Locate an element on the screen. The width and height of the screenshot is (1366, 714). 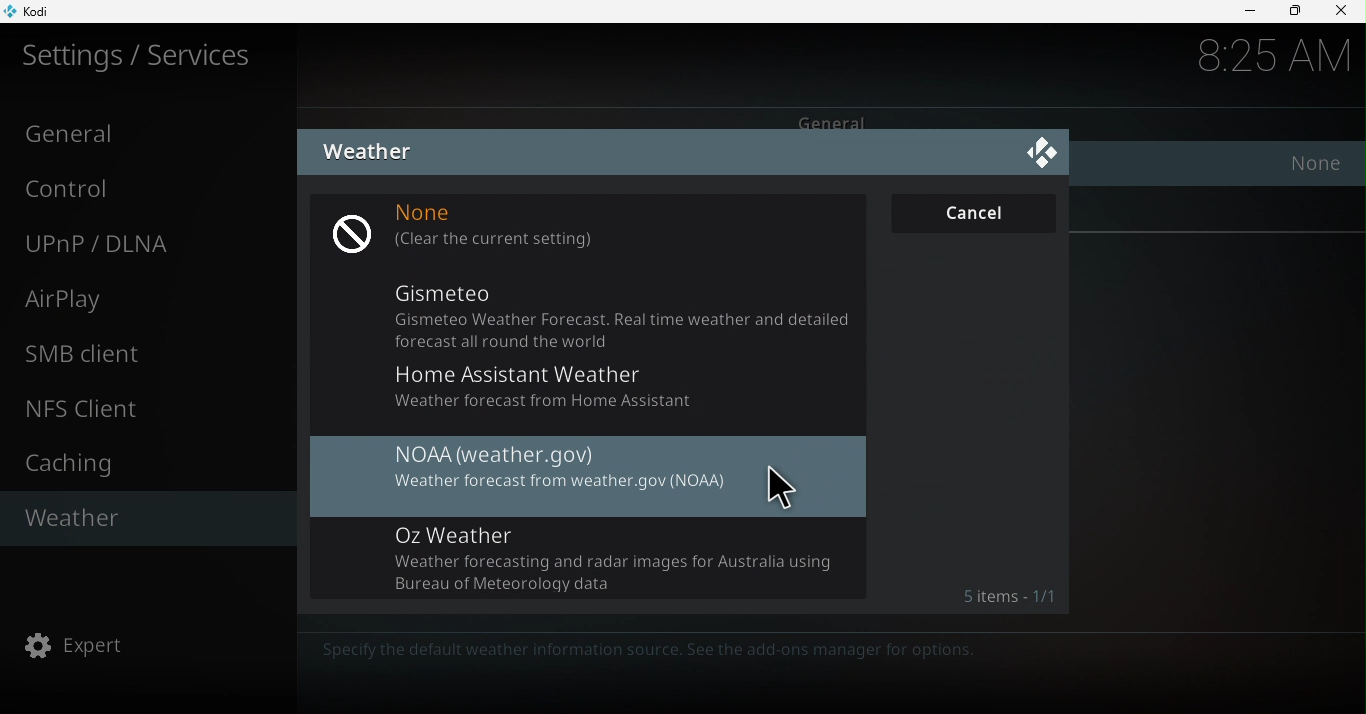
Reset above settings to default is located at coordinates (1218, 260).